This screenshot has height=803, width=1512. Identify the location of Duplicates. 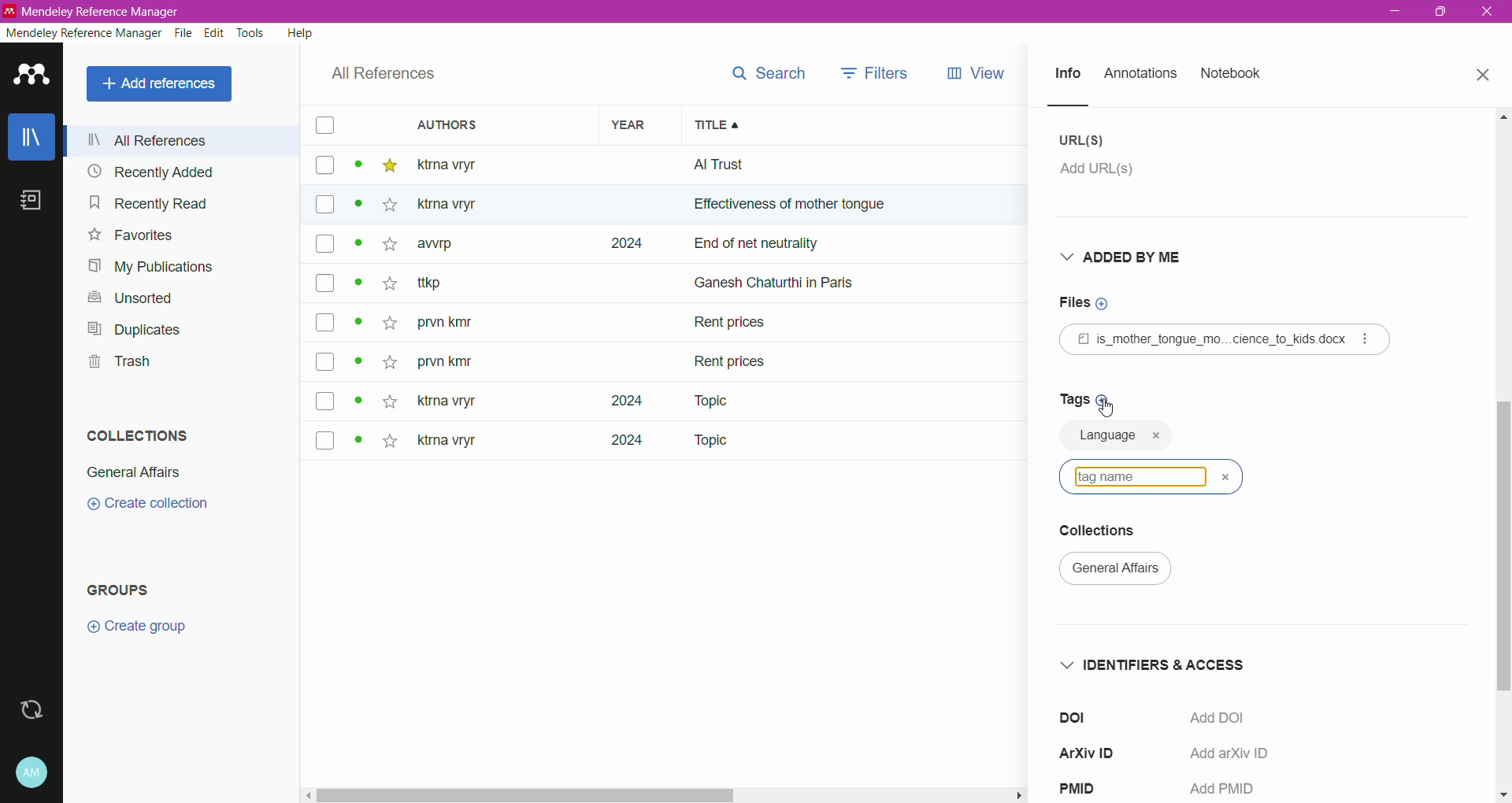
(135, 329).